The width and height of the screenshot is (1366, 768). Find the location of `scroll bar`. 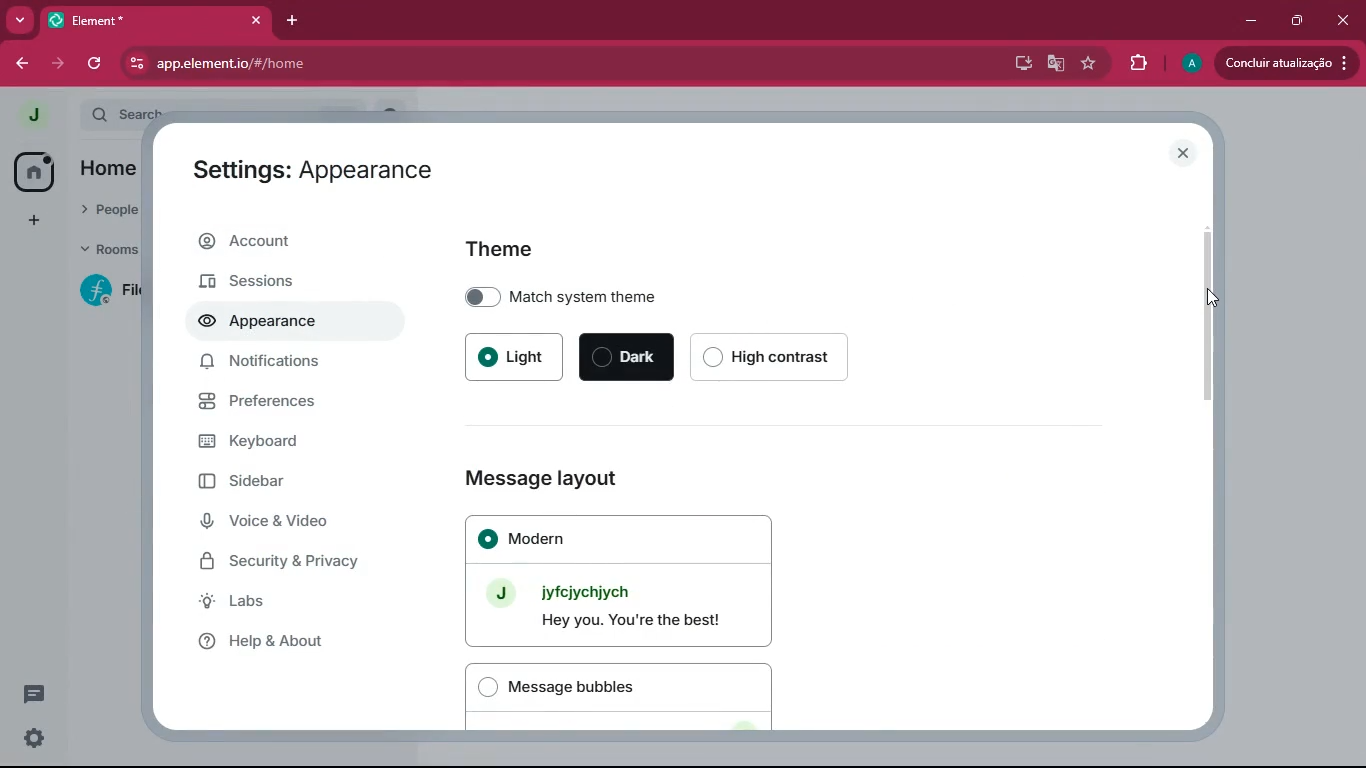

scroll bar is located at coordinates (1215, 318).